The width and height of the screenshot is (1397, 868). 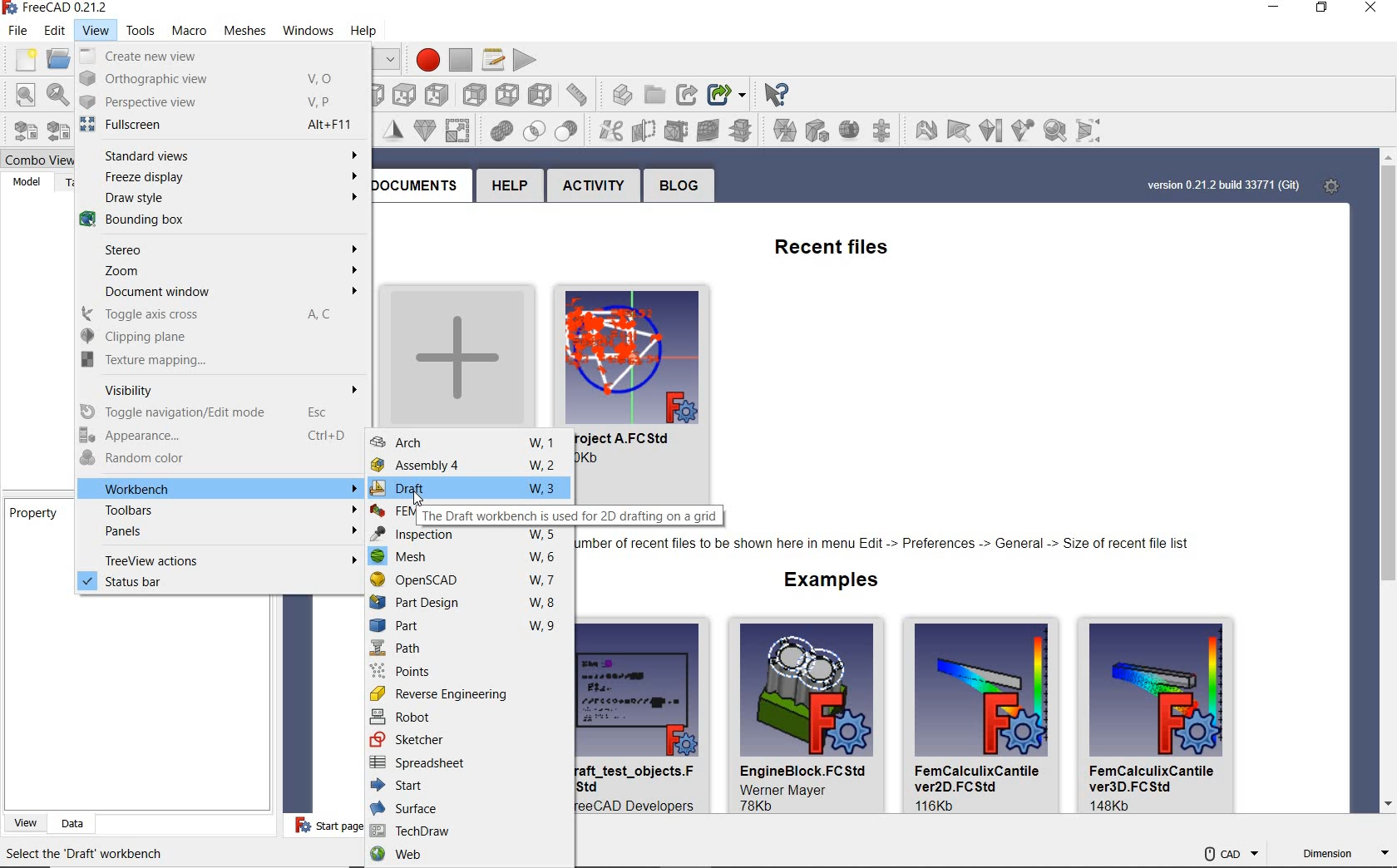 What do you see at coordinates (1334, 185) in the screenshot?
I see `settings` at bounding box center [1334, 185].